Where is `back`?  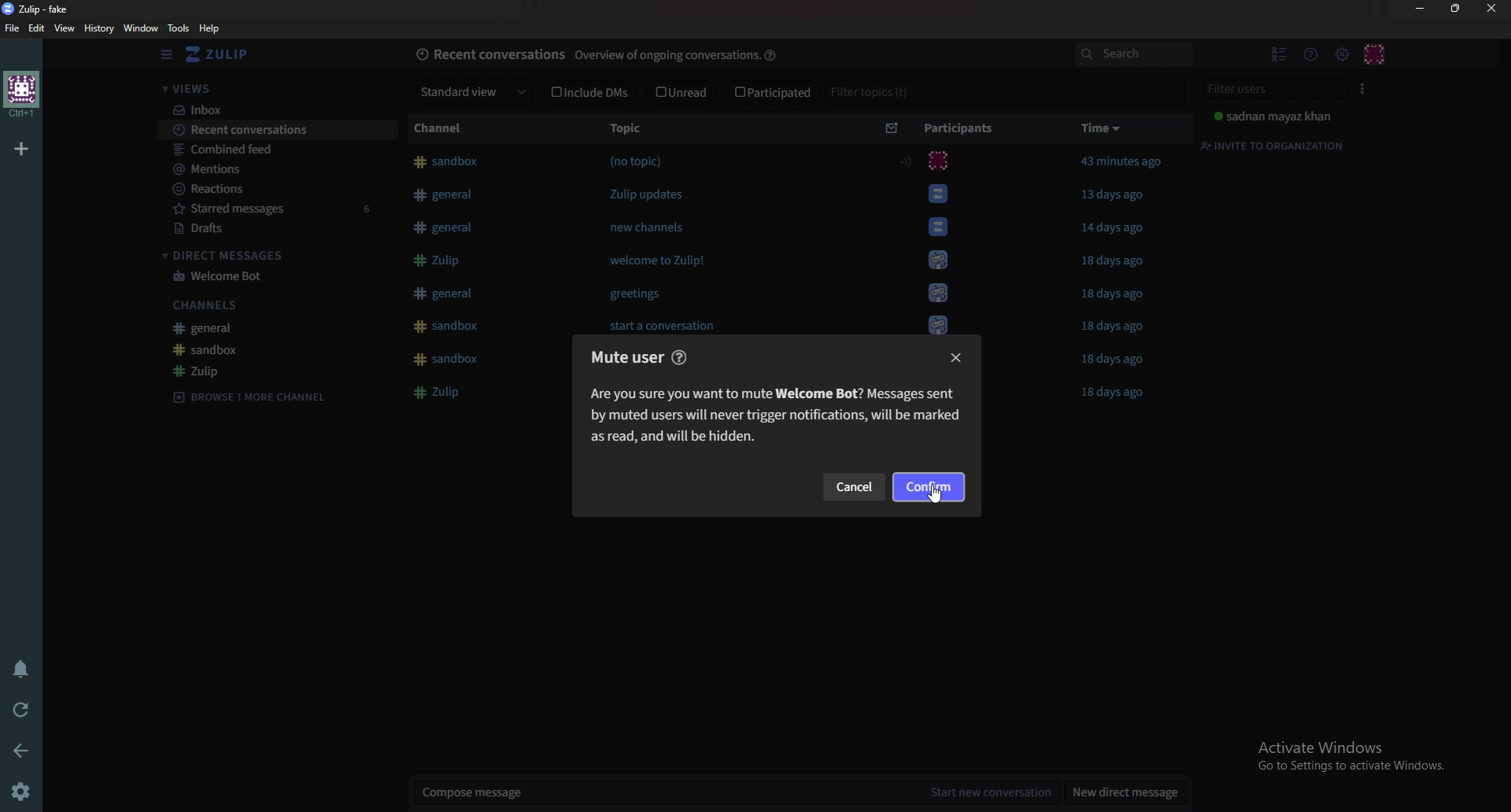
back is located at coordinates (17, 749).